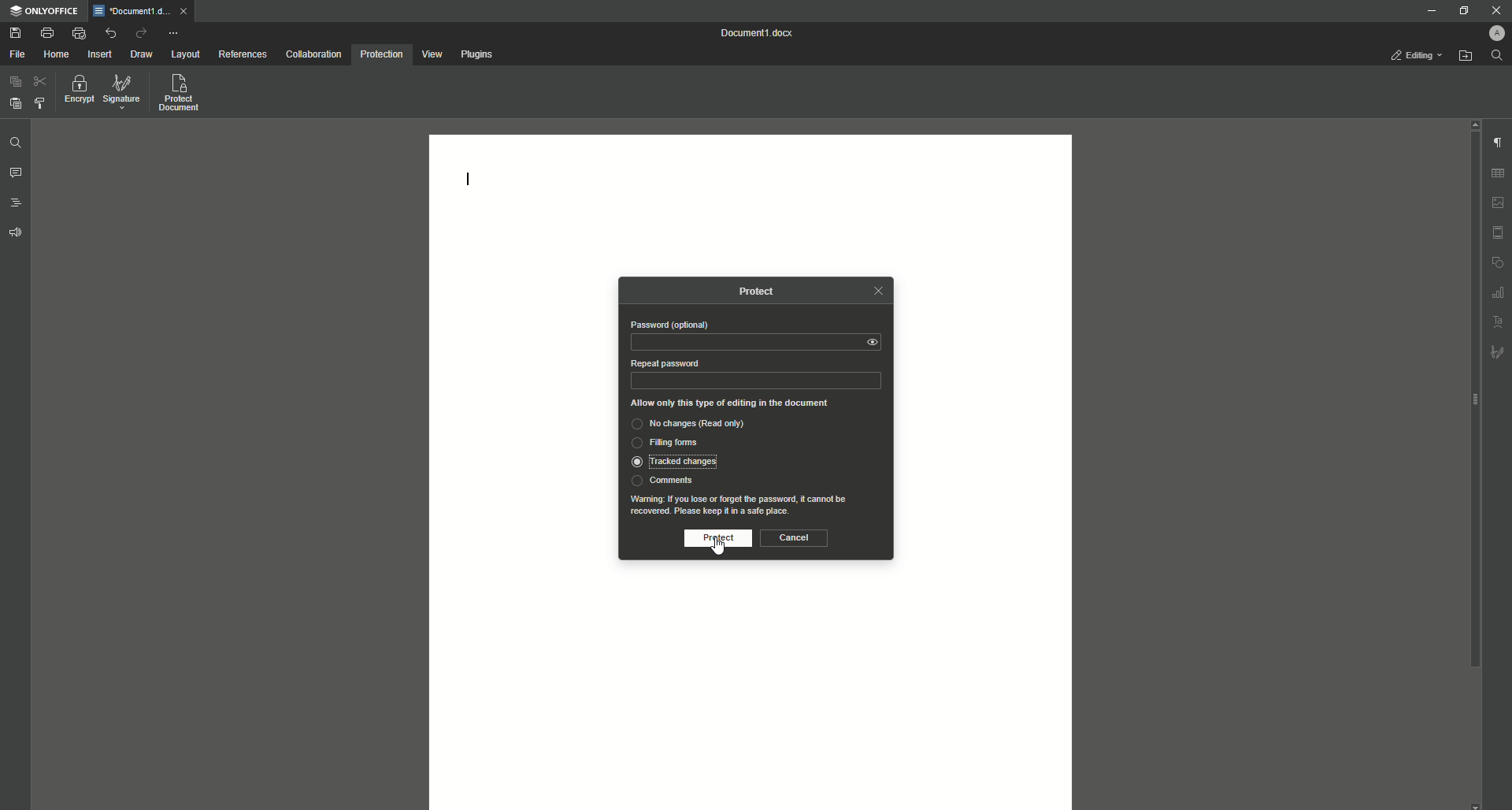 The height and width of the screenshot is (810, 1512). Describe the element at coordinates (76, 92) in the screenshot. I see `Encrypt` at that location.